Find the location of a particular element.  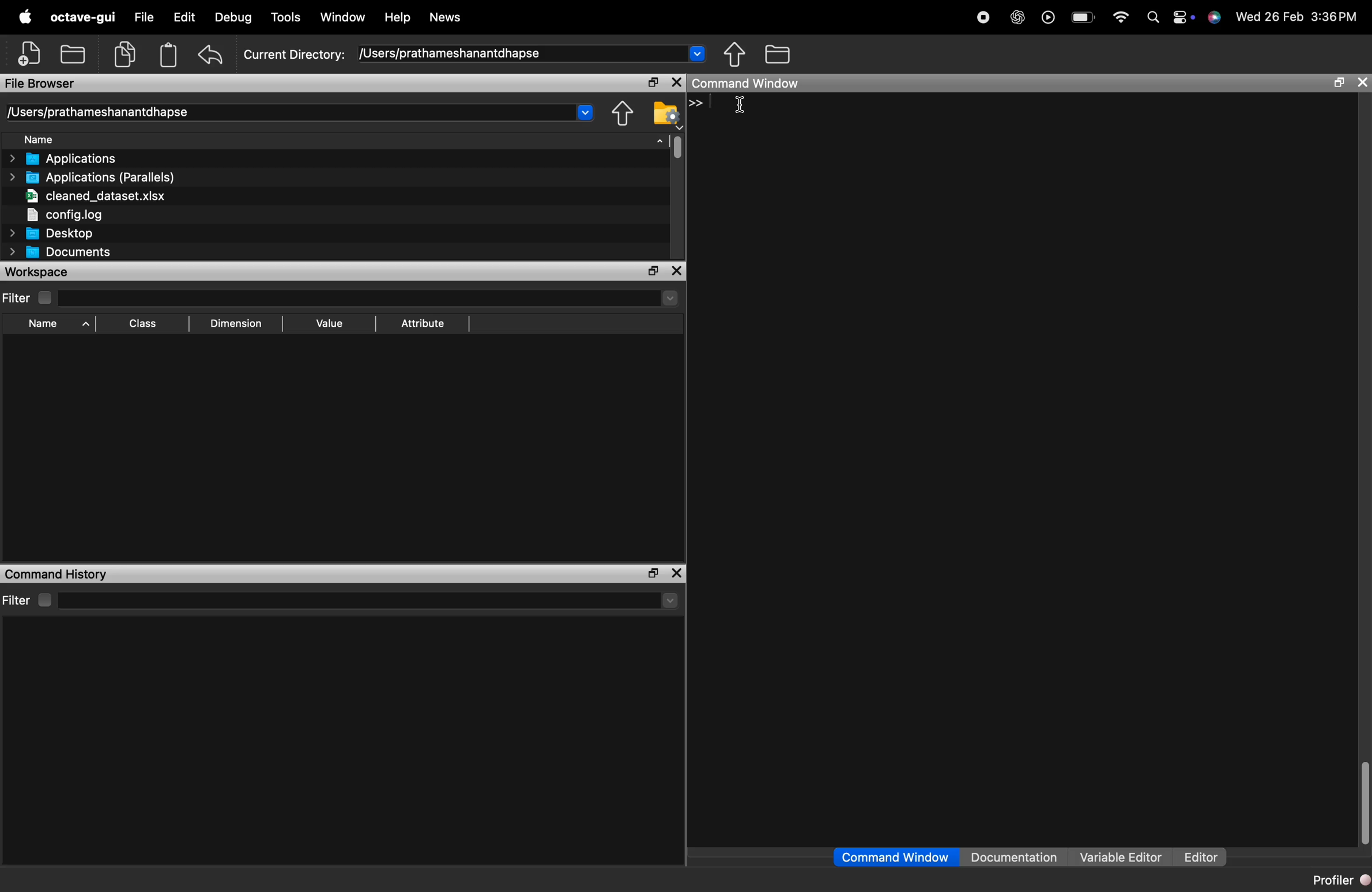

Class is located at coordinates (148, 326).